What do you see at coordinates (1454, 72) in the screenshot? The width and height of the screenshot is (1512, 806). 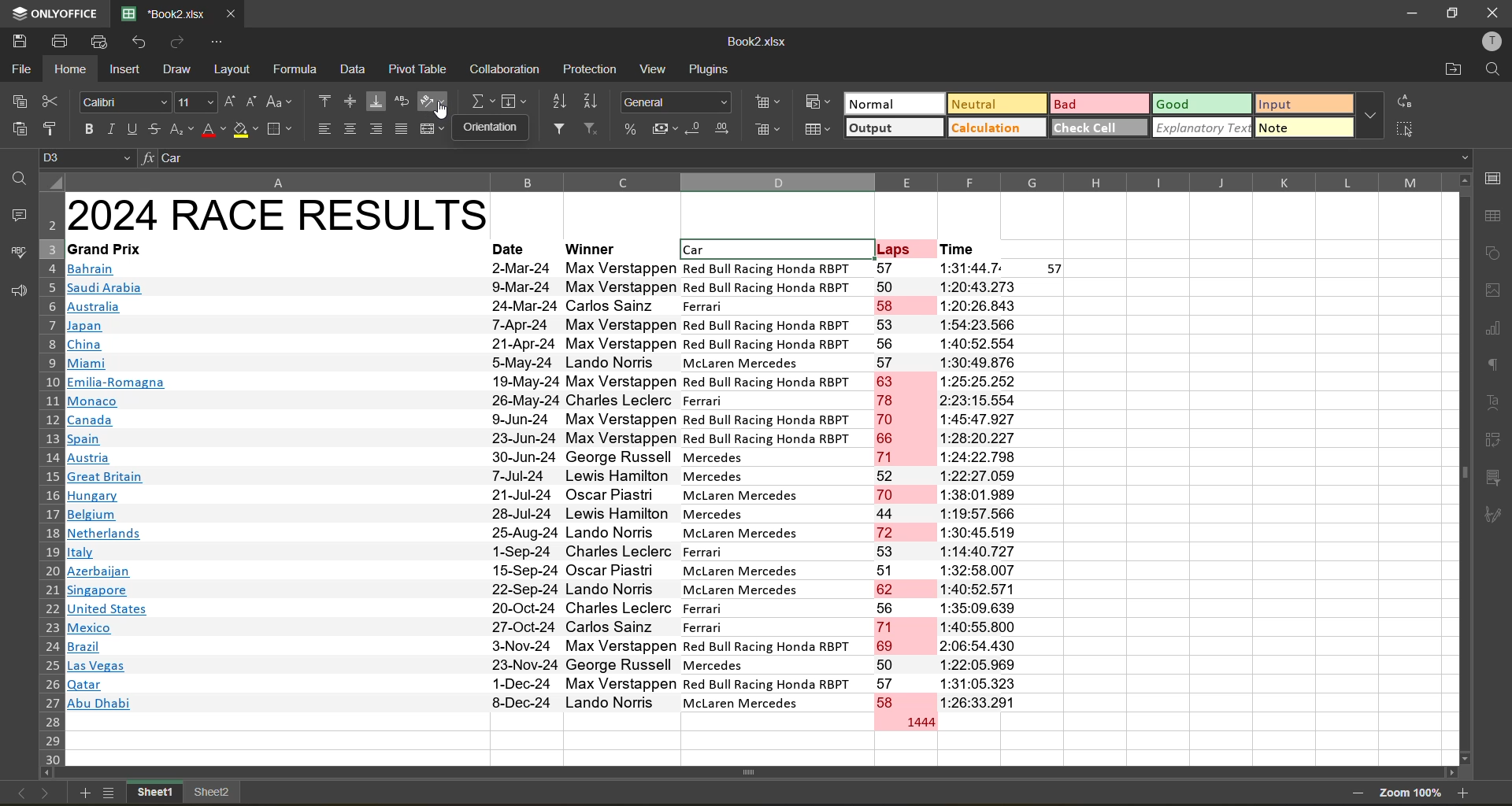 I see `open location` at bounding box center [1454, 72].